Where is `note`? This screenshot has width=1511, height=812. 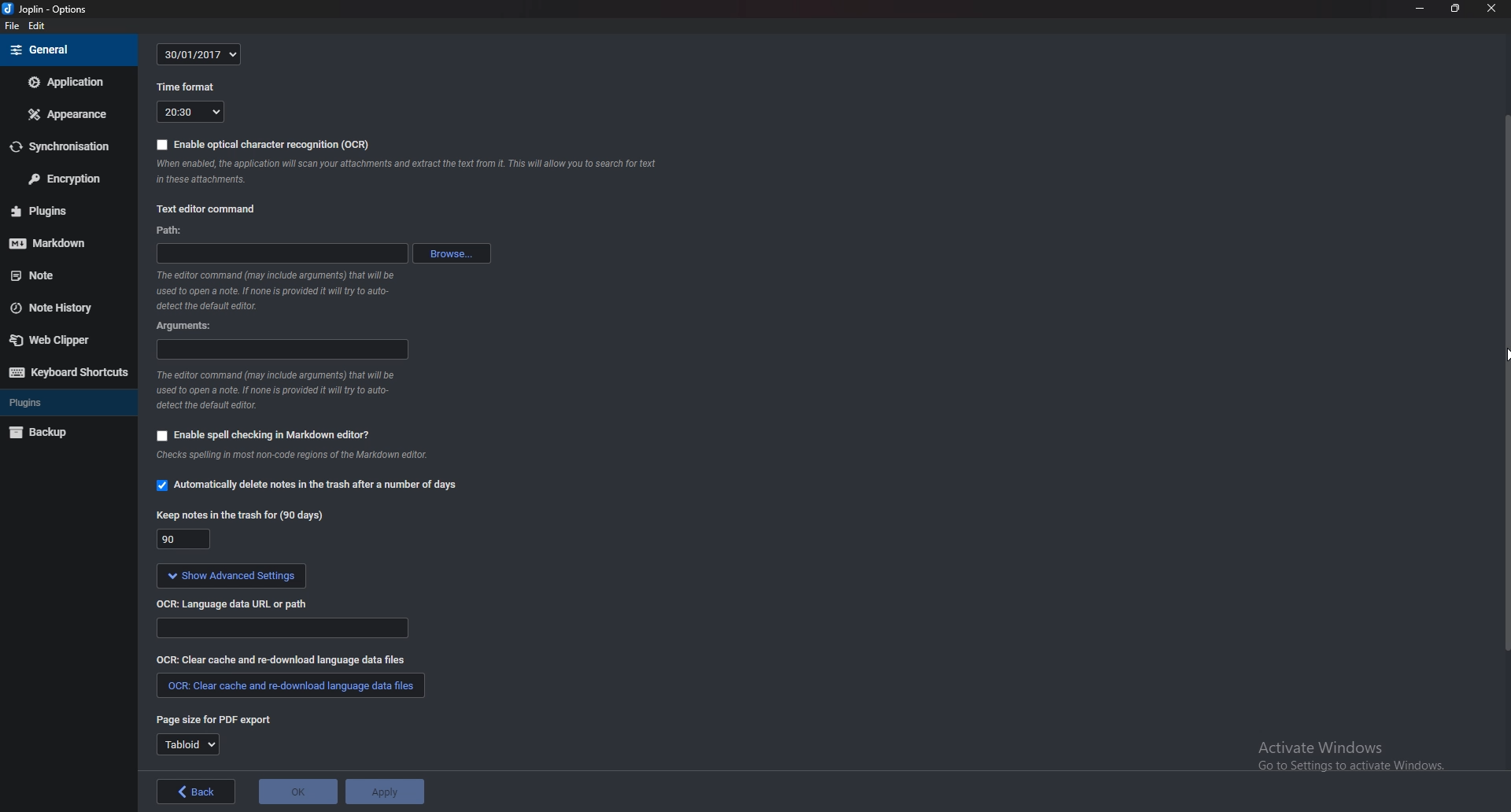 note is located at coordinates (54, 275).